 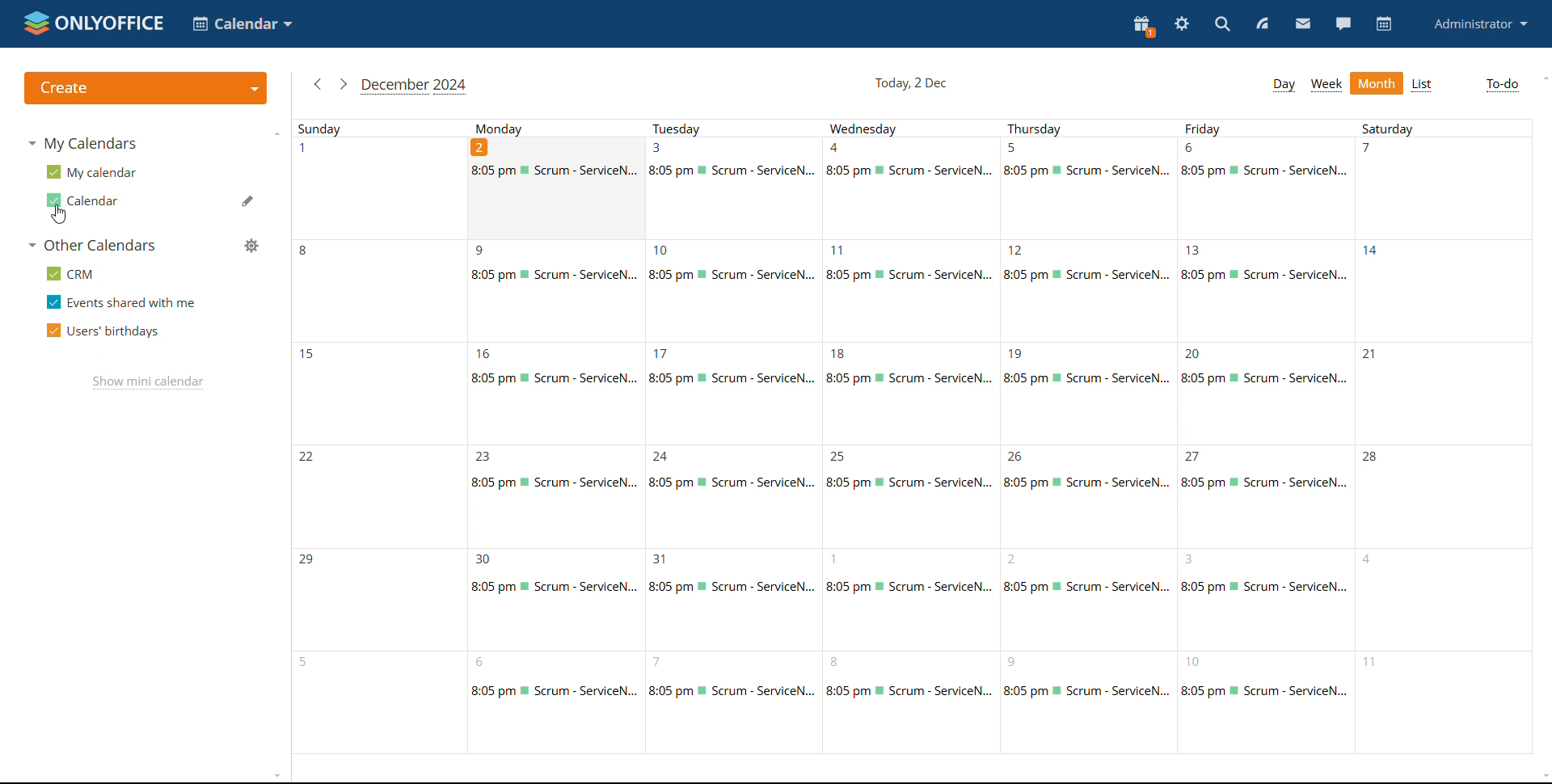 What do you see at coordinates (90, 246) in the screenshot?
I see `other calendars` at bounding box center [90, 246].